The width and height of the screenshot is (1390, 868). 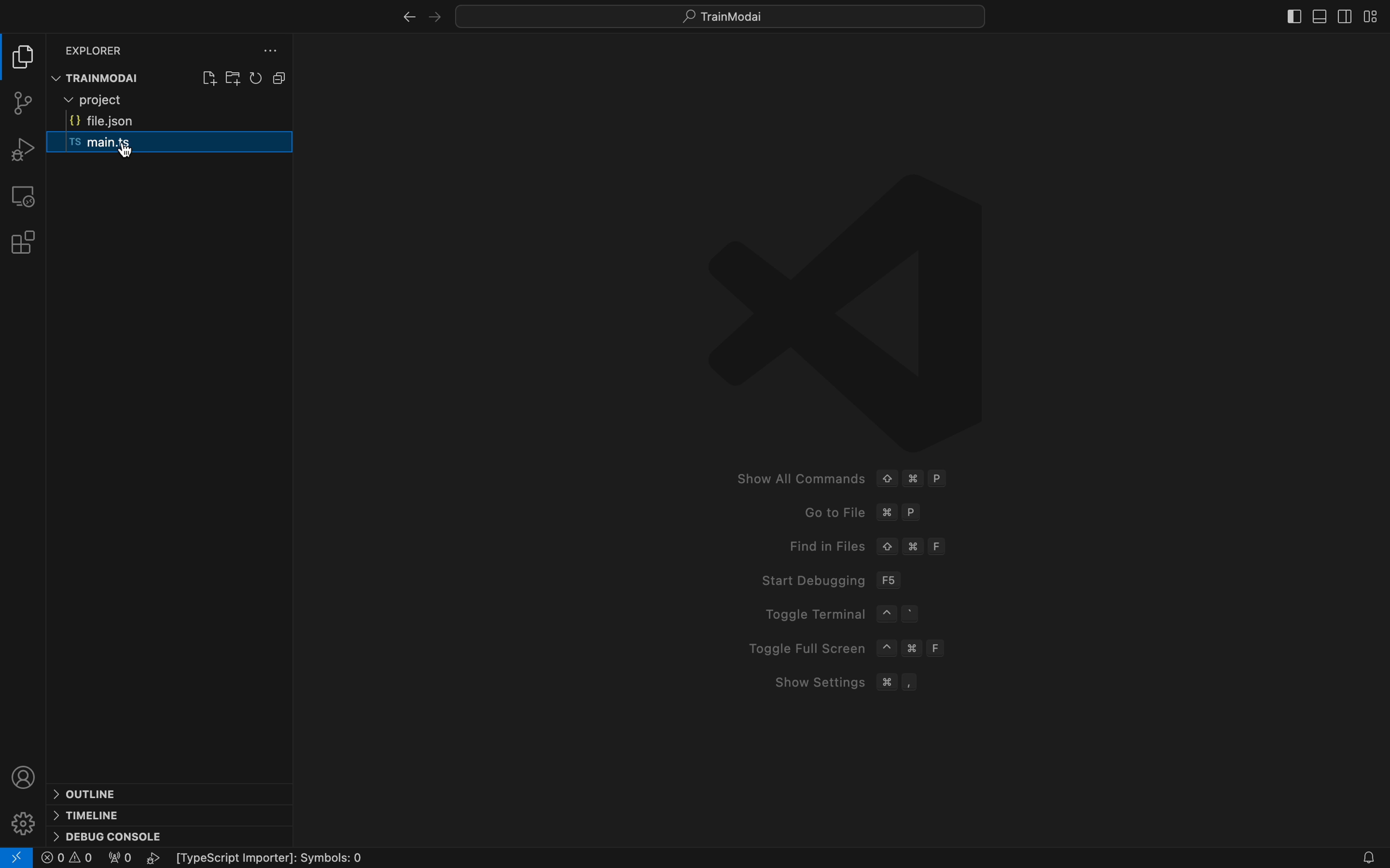 What do you see at coordinates (23, 105) in the screenshot?
I see `git` at bounding box center [23, 105].